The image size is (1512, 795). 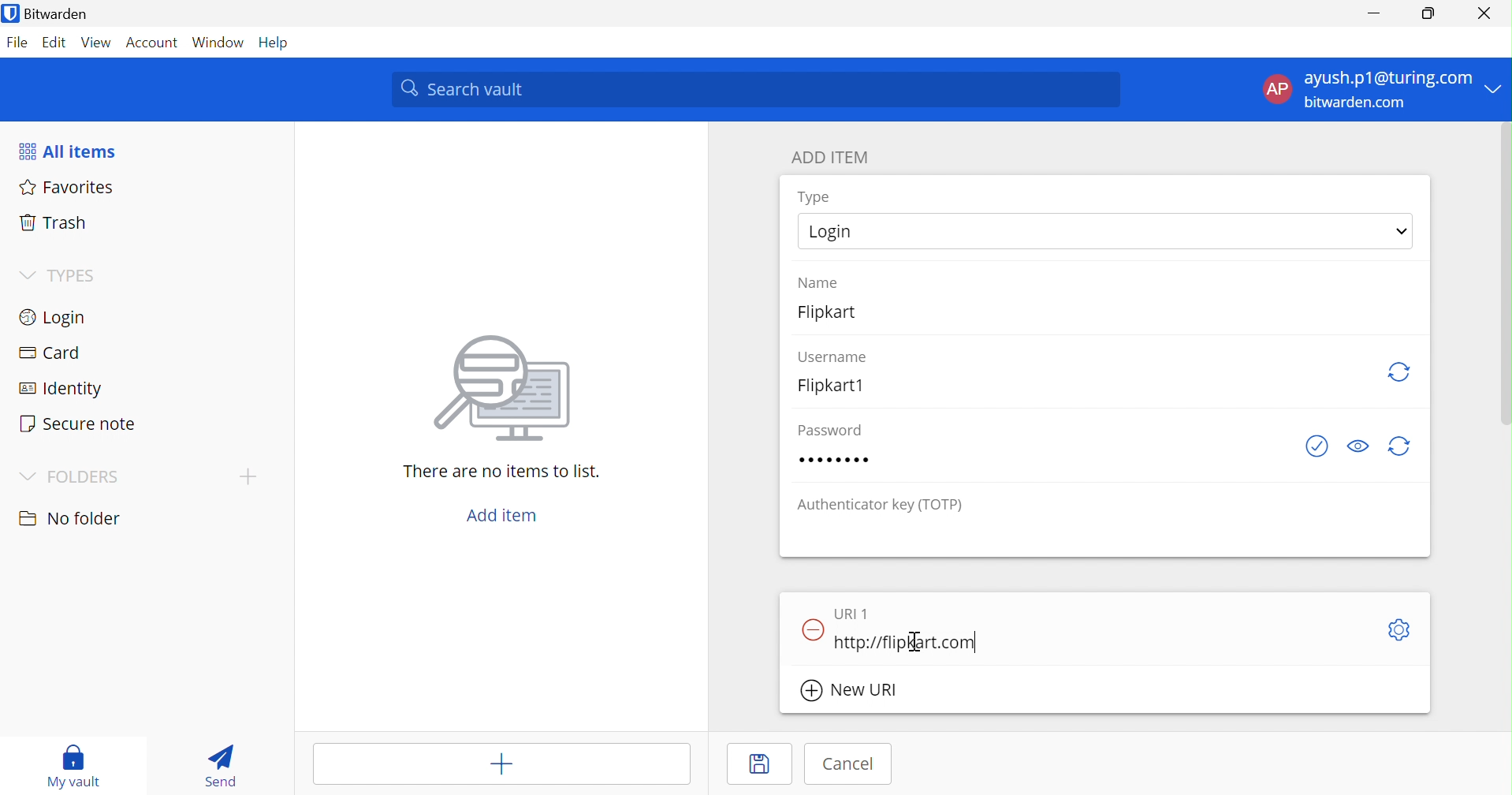 I want to click on Toggle Visibility, so click(x=1361, y=444).